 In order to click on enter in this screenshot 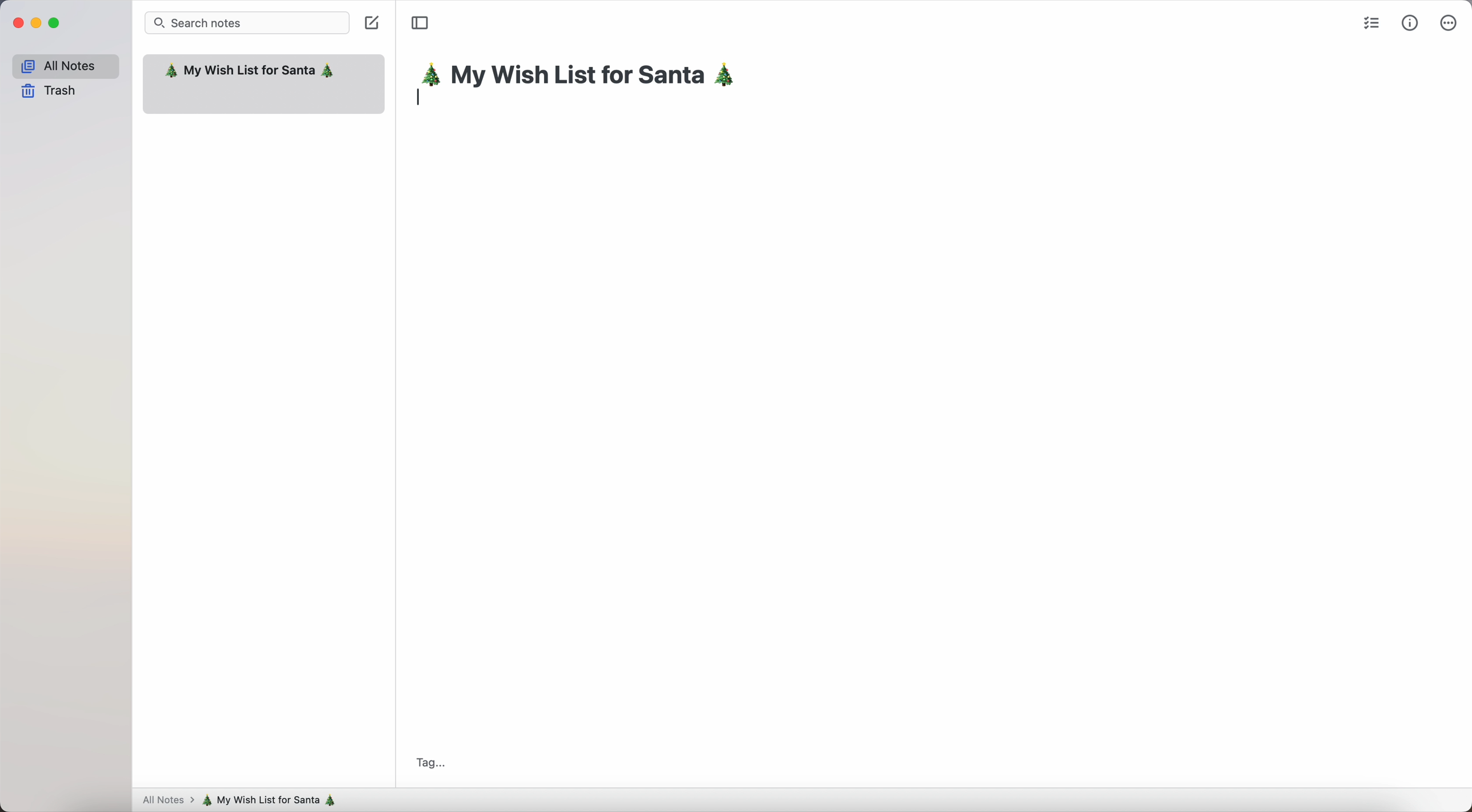, I will do `click(422, 97)`.